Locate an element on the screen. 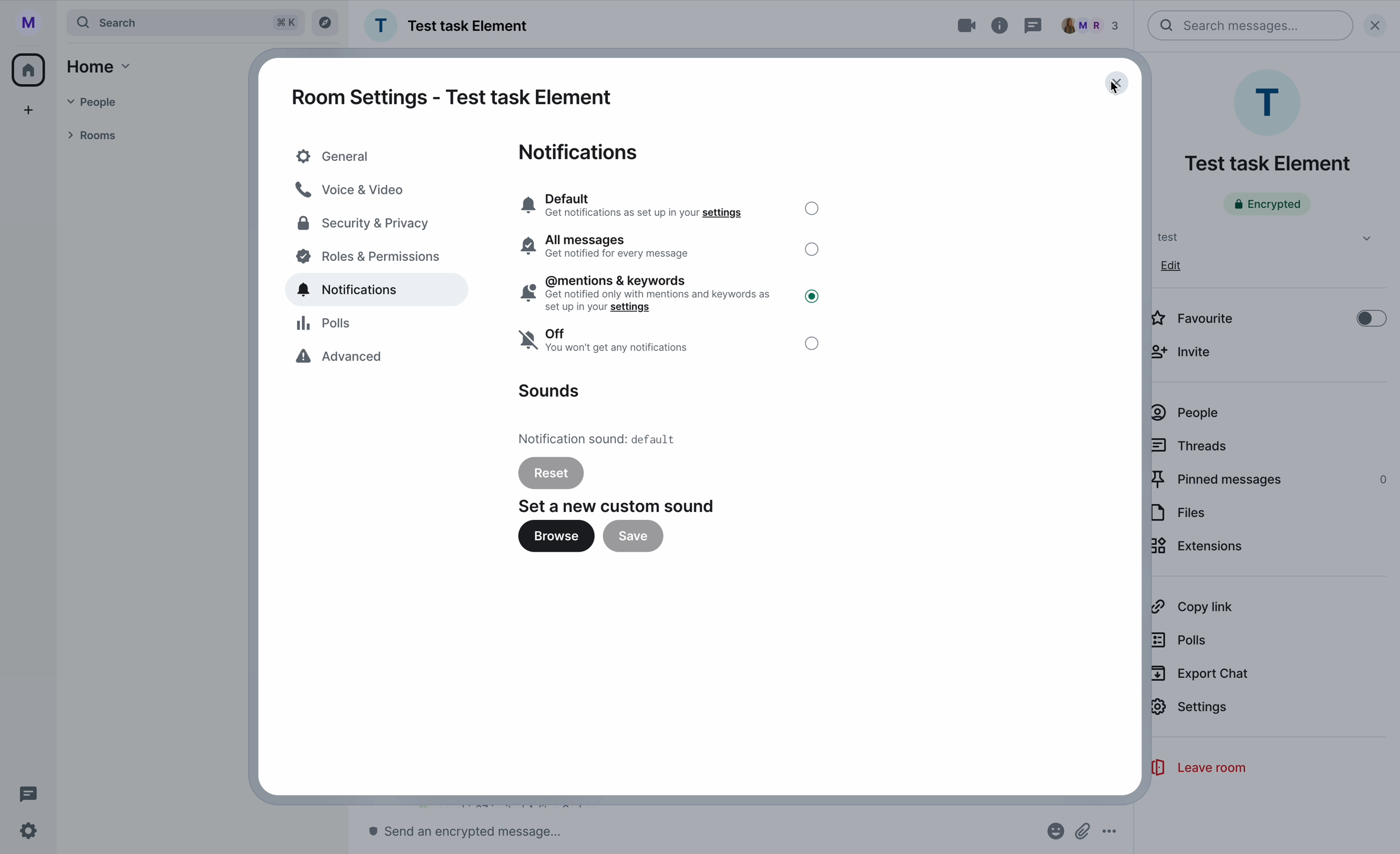  threads is located at coordinates (1034, 25).